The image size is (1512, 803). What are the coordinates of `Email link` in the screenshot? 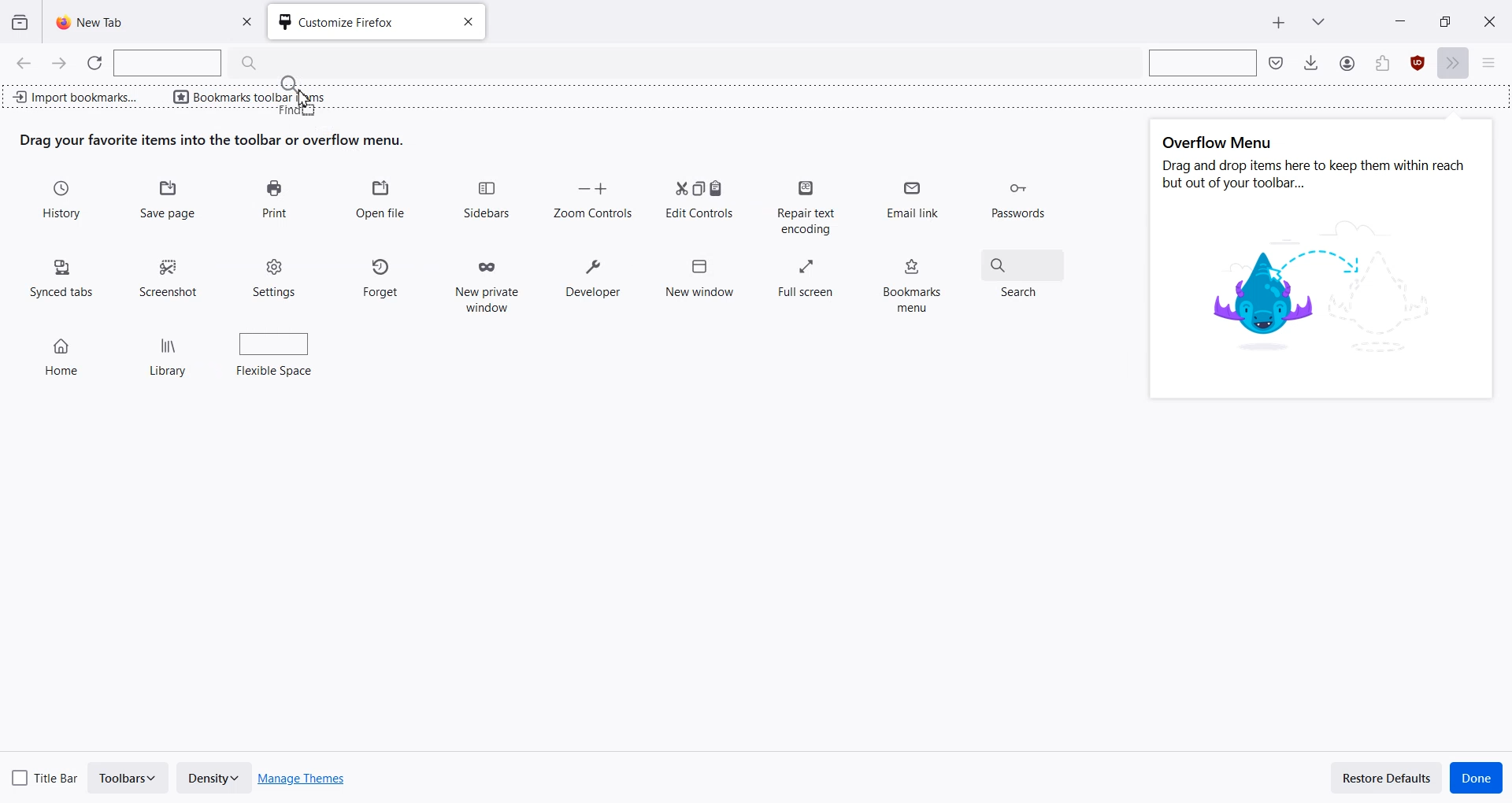 It's located at (915, 205).